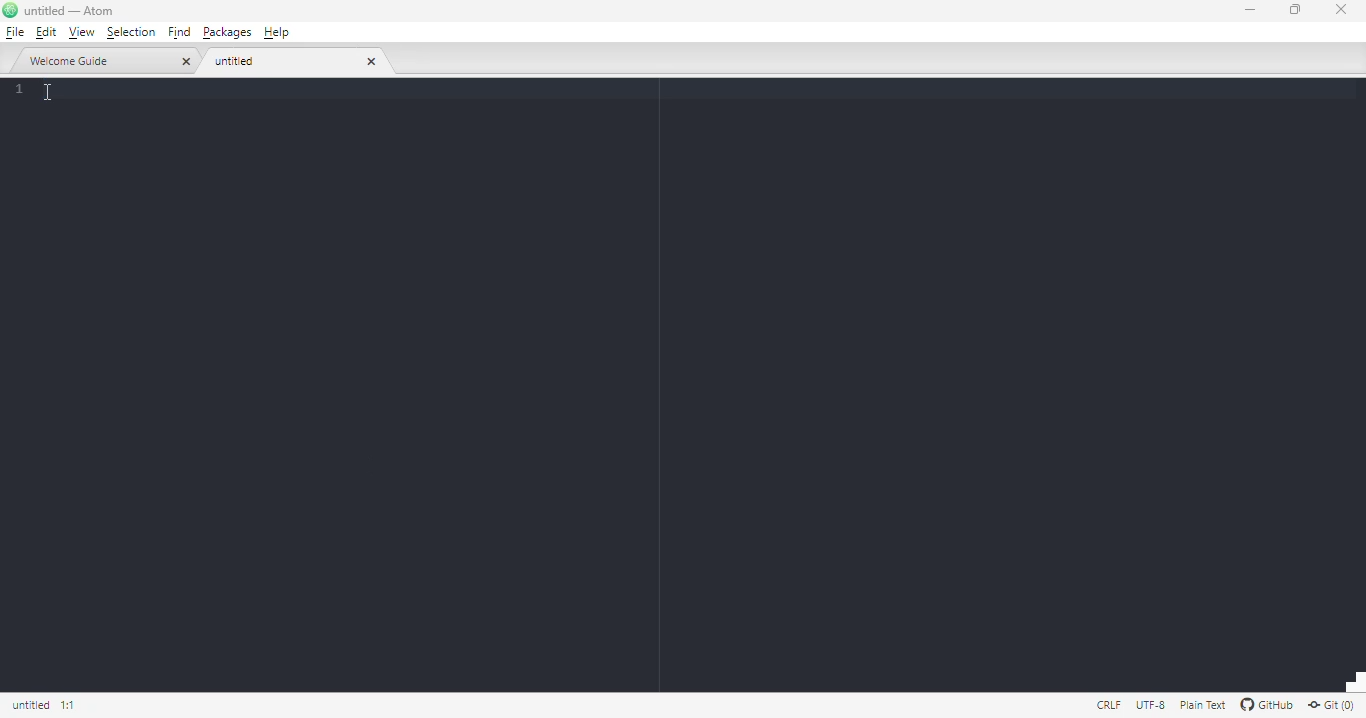 The width and height of the screenshot is (1366, 718). I want to click on close tab, so click(184, 62).